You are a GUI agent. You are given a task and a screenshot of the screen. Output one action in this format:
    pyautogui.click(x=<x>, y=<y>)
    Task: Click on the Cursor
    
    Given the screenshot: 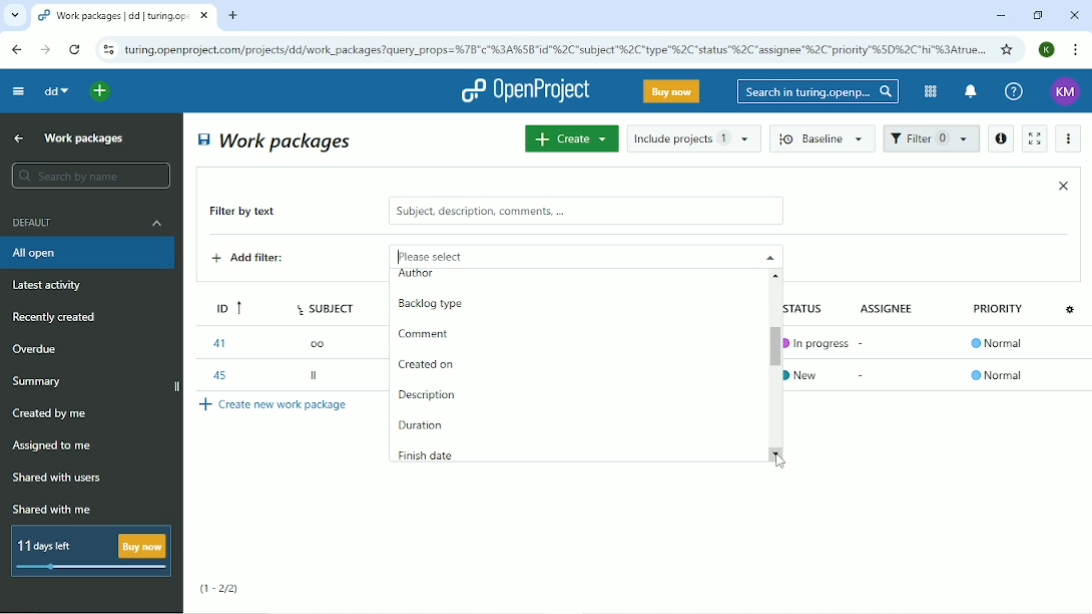 What is the action you would take?
    pyautogui.click(x=782, y=460)
    